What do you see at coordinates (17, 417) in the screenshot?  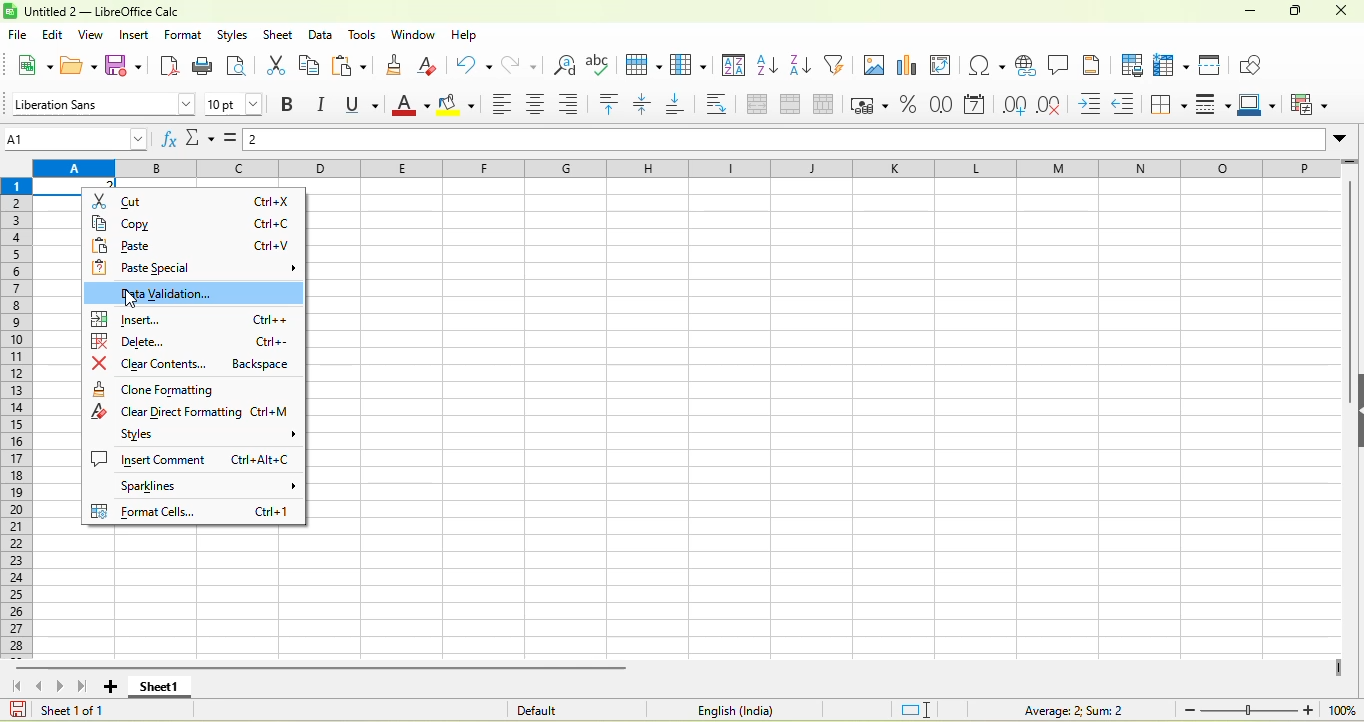 I see `rows` at bounding box center [17, 417].